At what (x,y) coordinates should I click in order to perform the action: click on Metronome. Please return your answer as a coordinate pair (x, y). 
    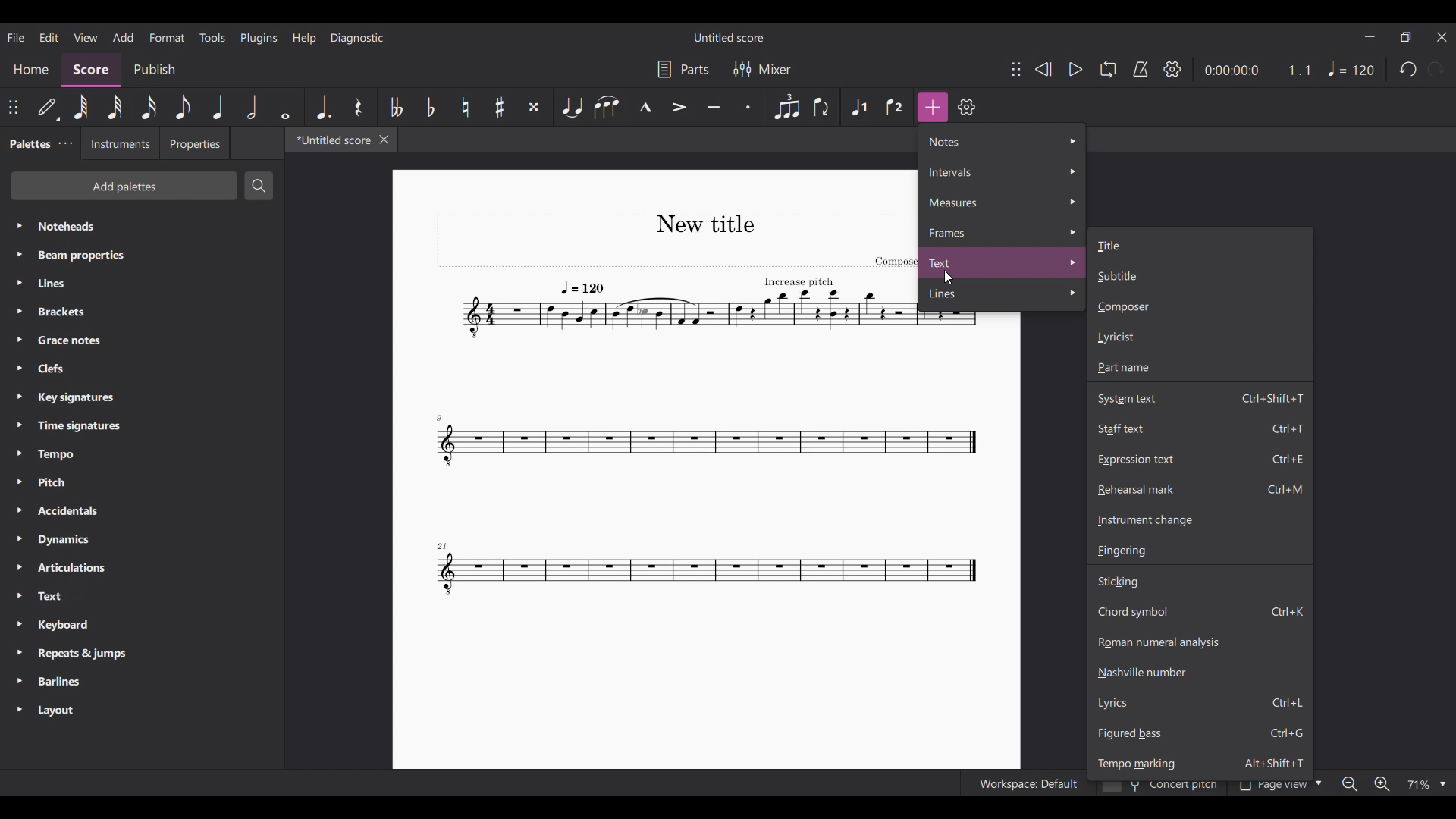
    Looking at the image, I should click on (1141, 69).